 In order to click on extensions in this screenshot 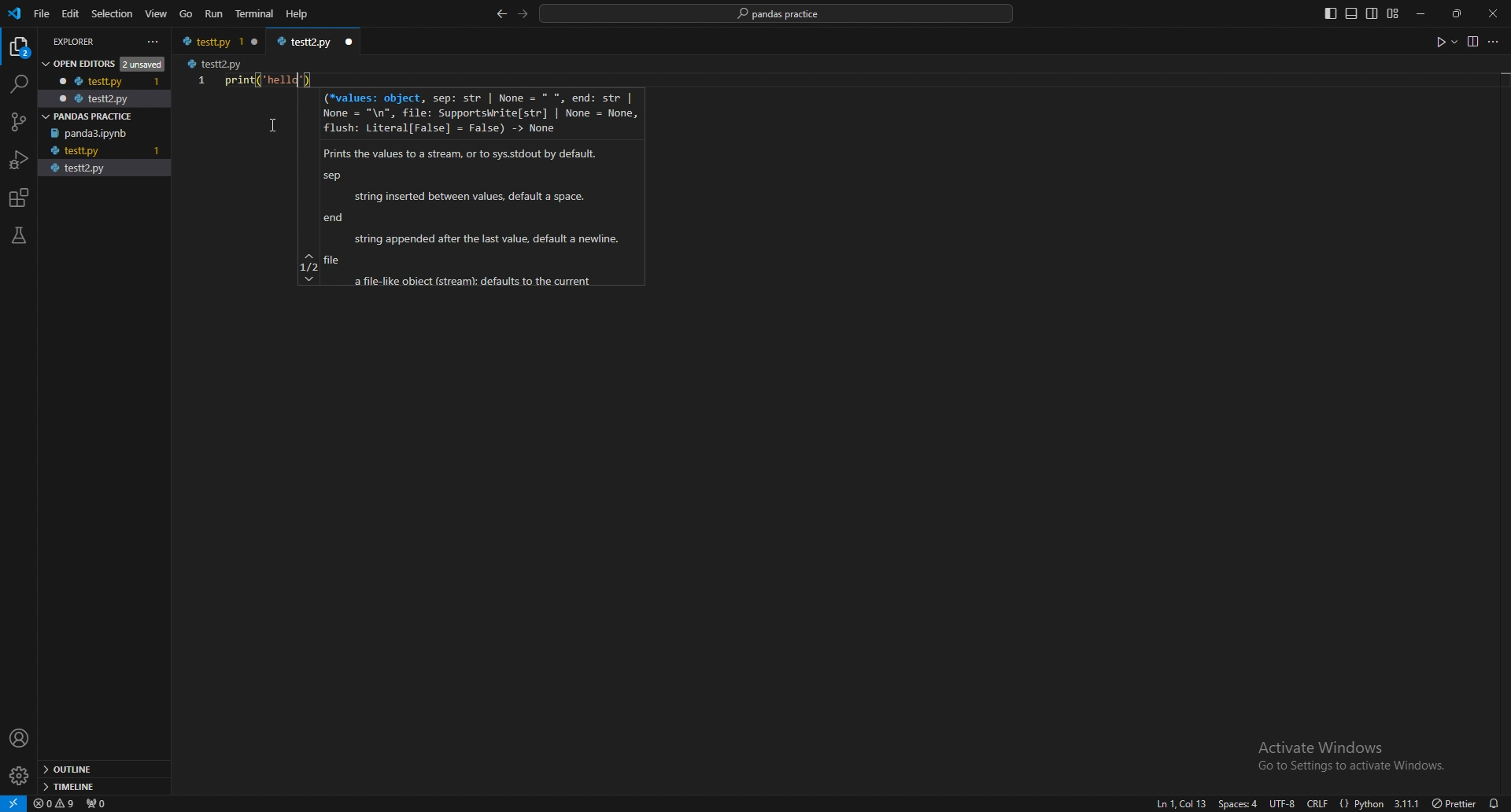, I will do `click(20, 198)`.